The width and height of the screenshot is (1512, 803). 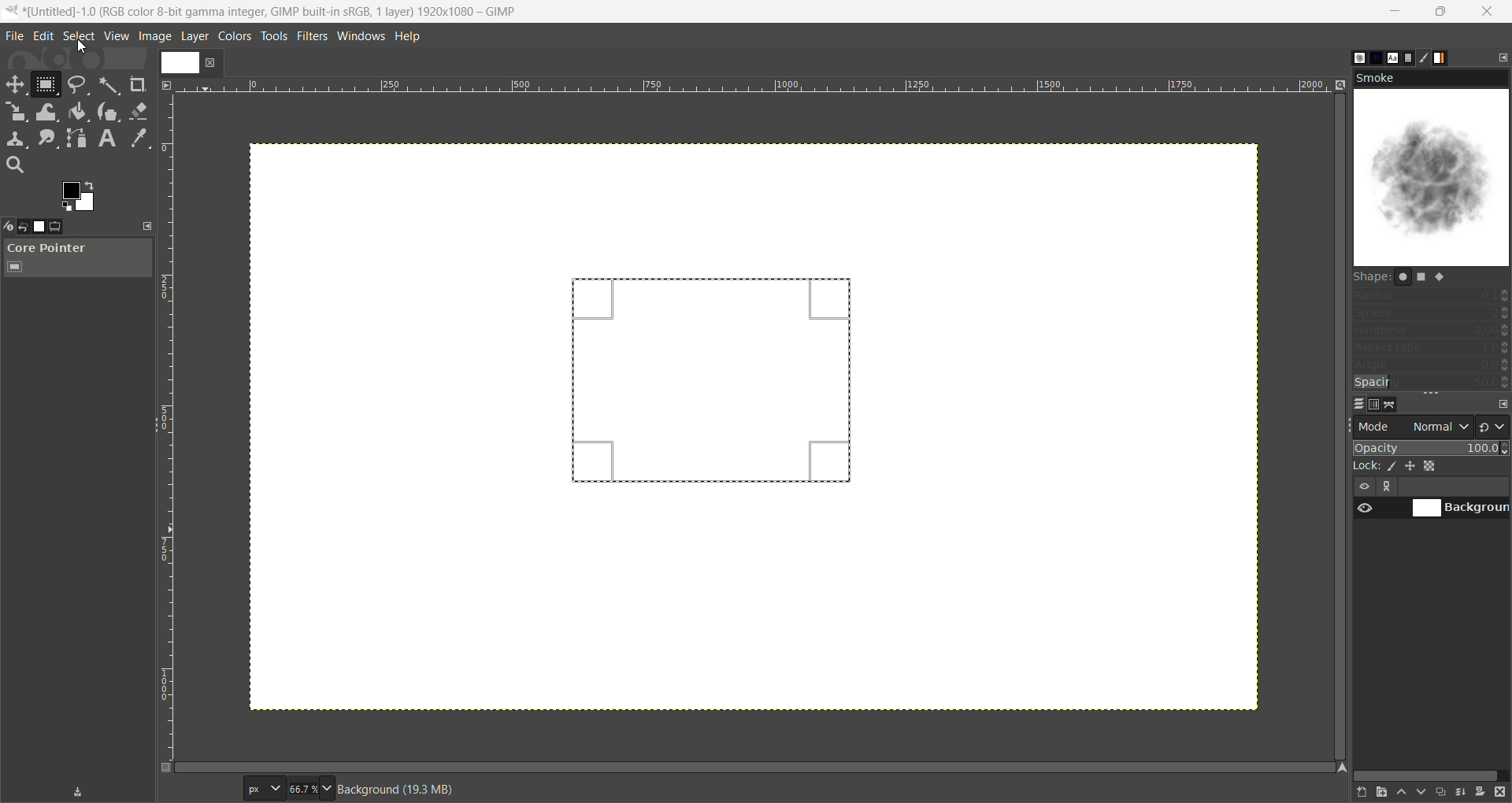 What do you see at coordinates (406, 37) in the screenshot?
I see `help` at bounding box center [406, 37].